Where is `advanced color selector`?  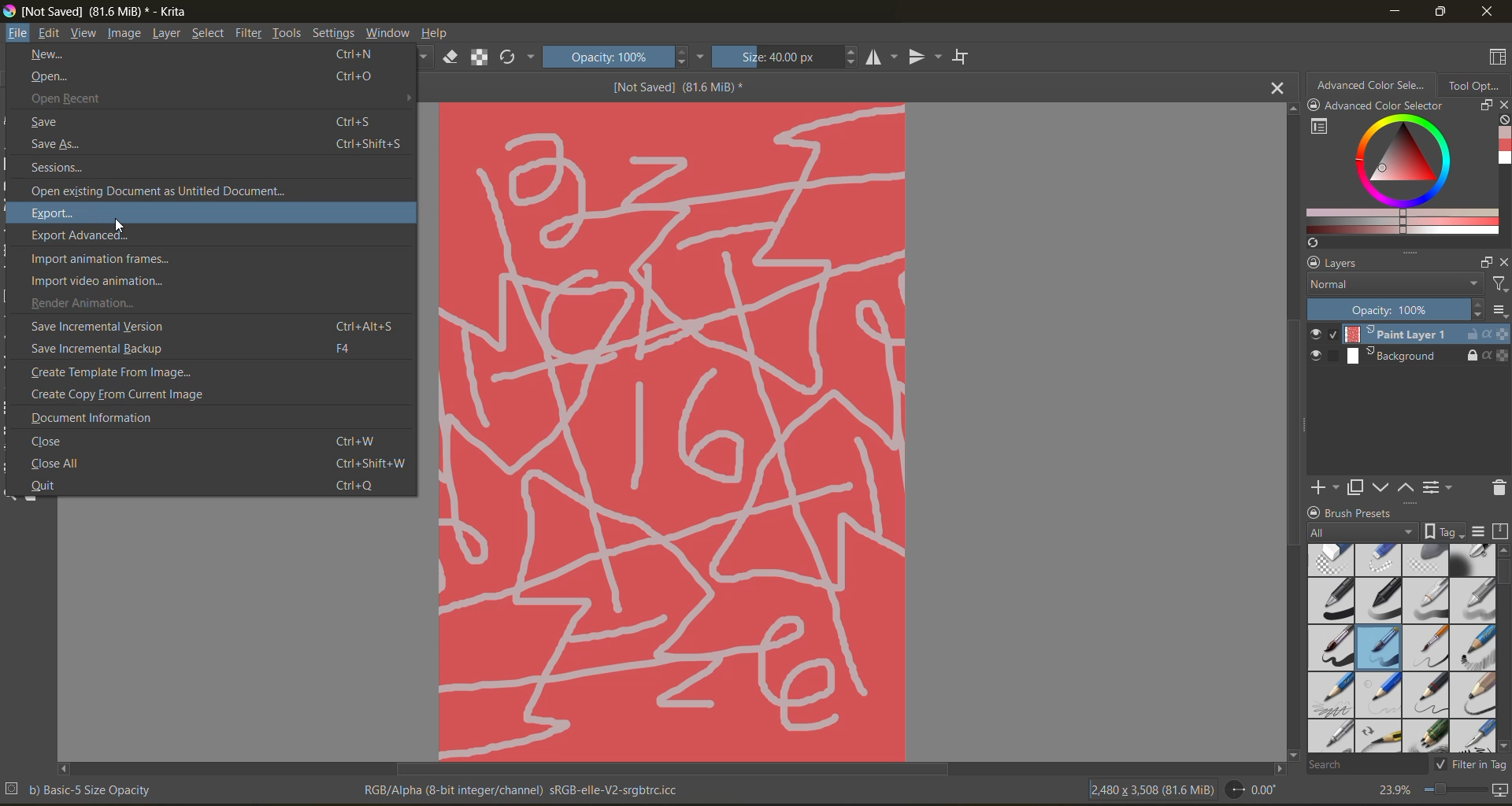 advanced color selector is located at coordinates (1371, 83).